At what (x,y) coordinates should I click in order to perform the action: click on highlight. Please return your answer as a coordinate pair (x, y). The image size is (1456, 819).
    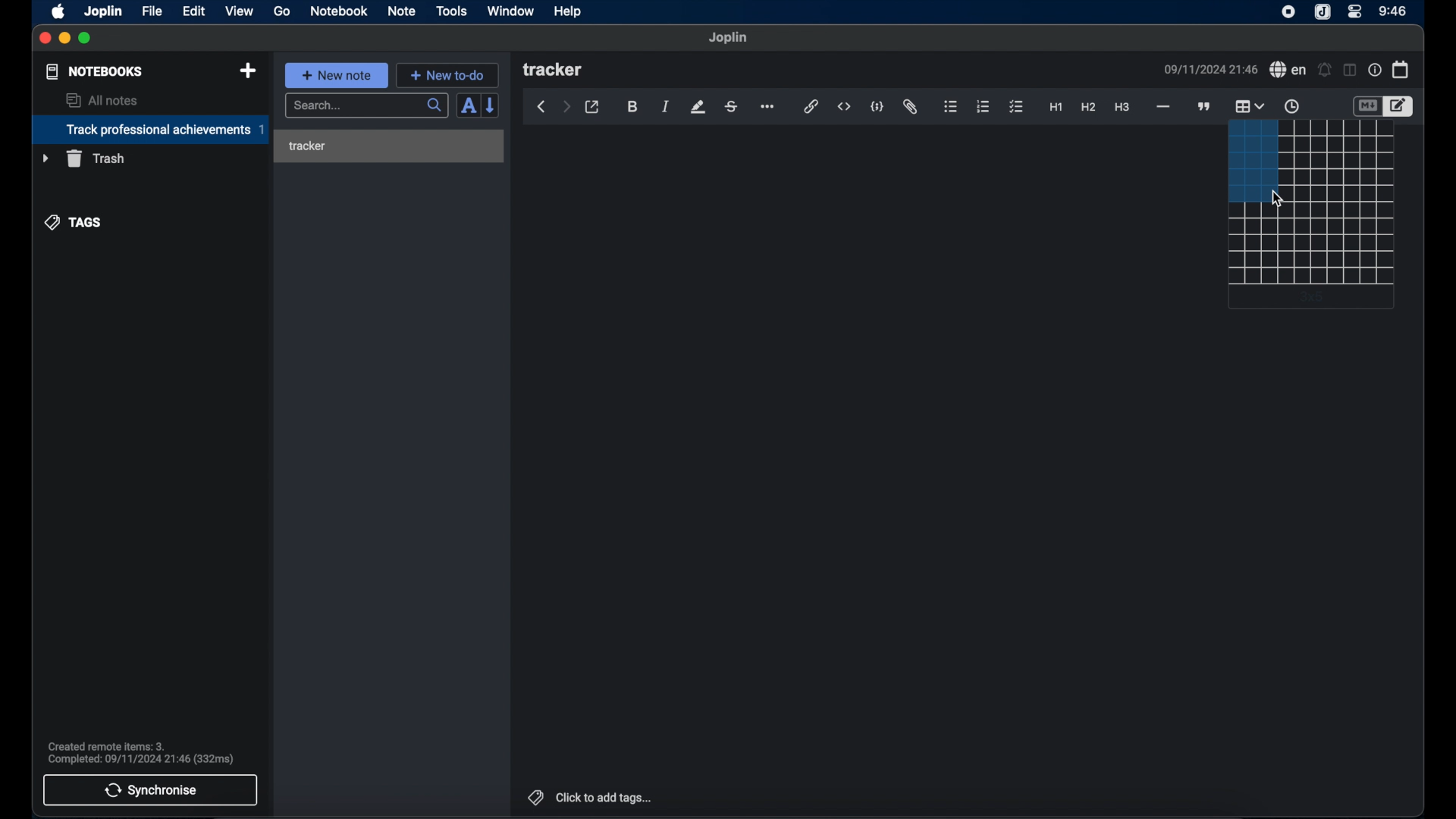
    Looking at the image, I should click on (698, 107).